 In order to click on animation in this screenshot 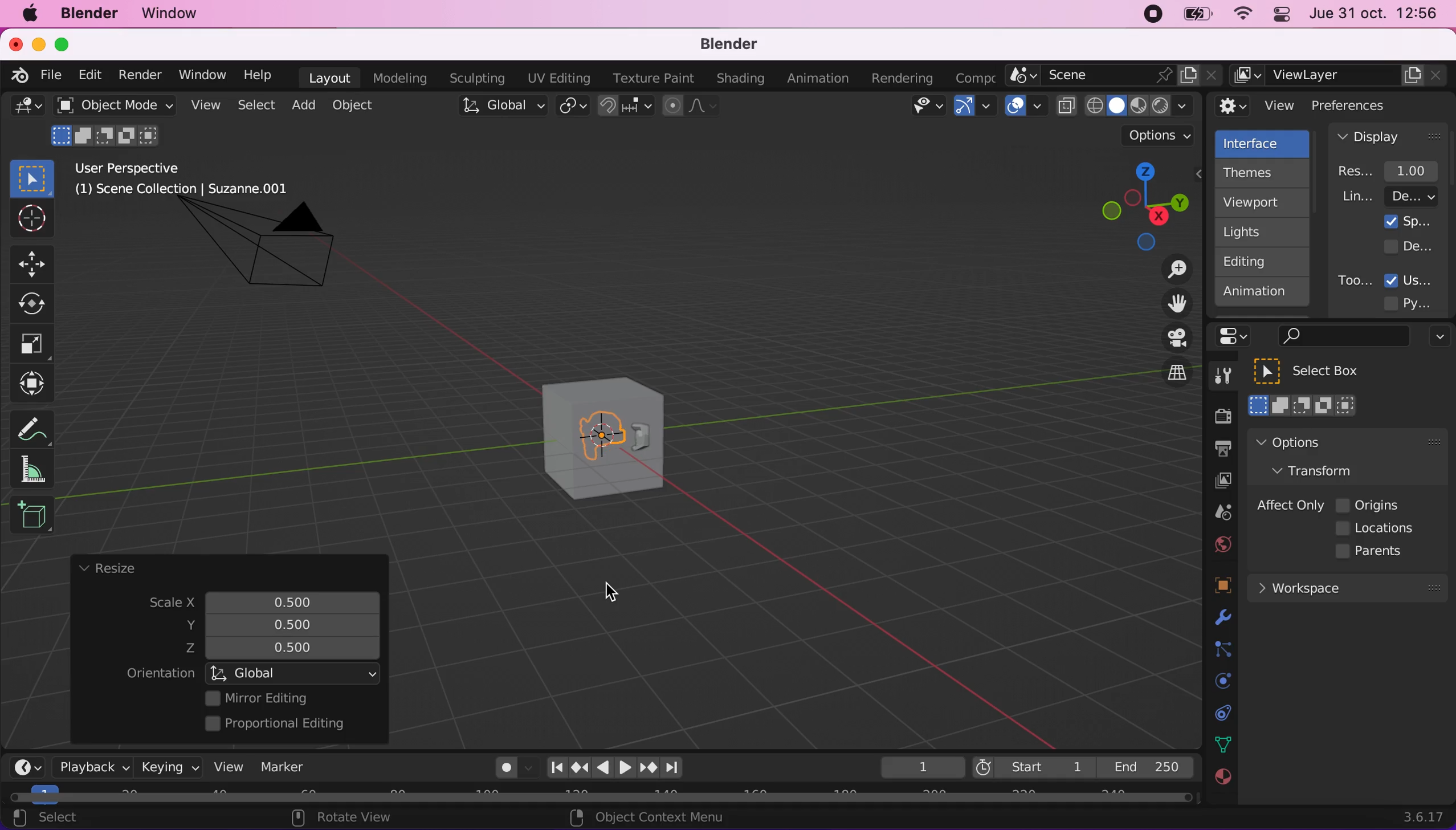, I will do `click(821, 79)`.